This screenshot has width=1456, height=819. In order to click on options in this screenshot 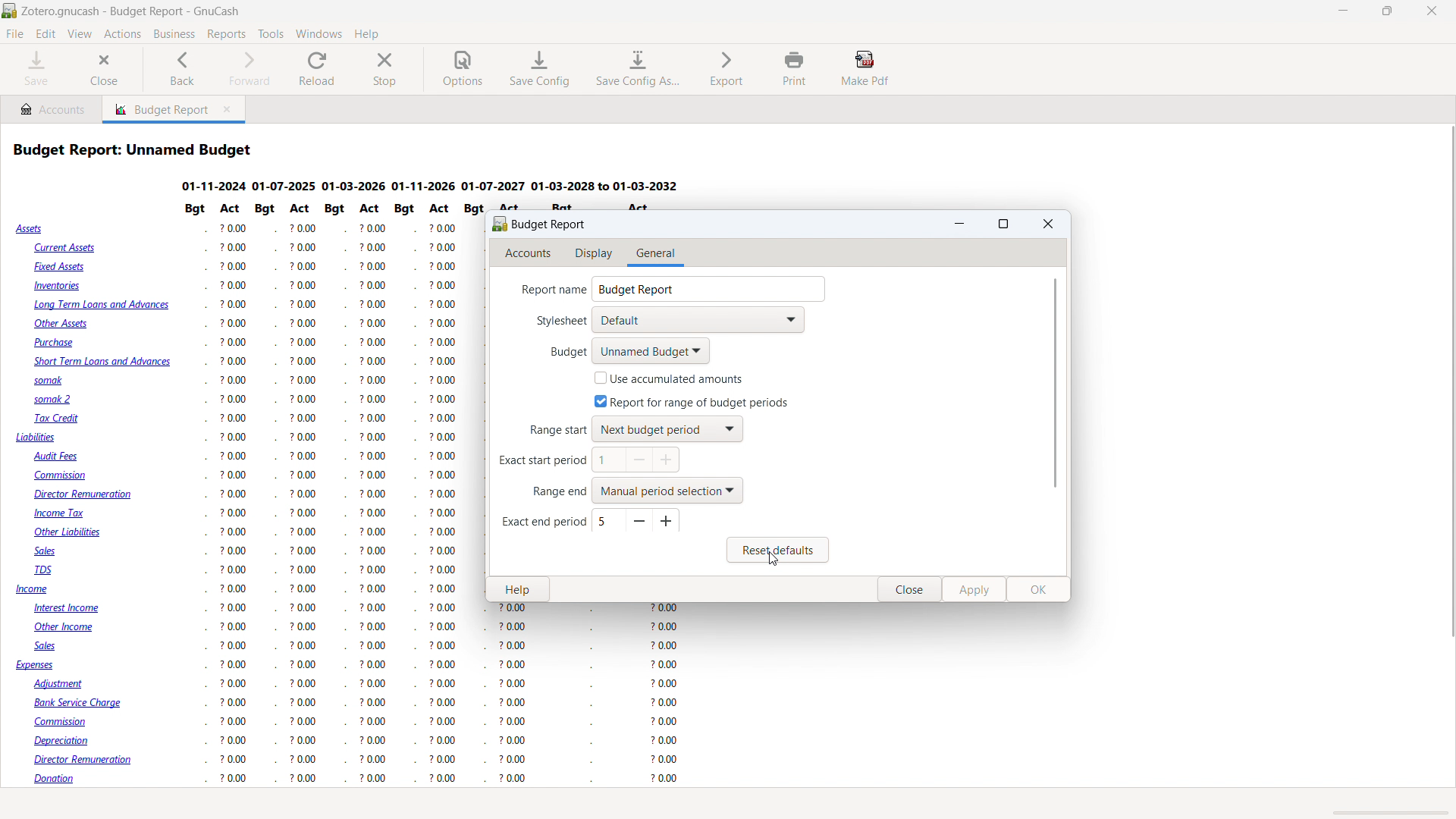, I will do `click(463, 70)`.